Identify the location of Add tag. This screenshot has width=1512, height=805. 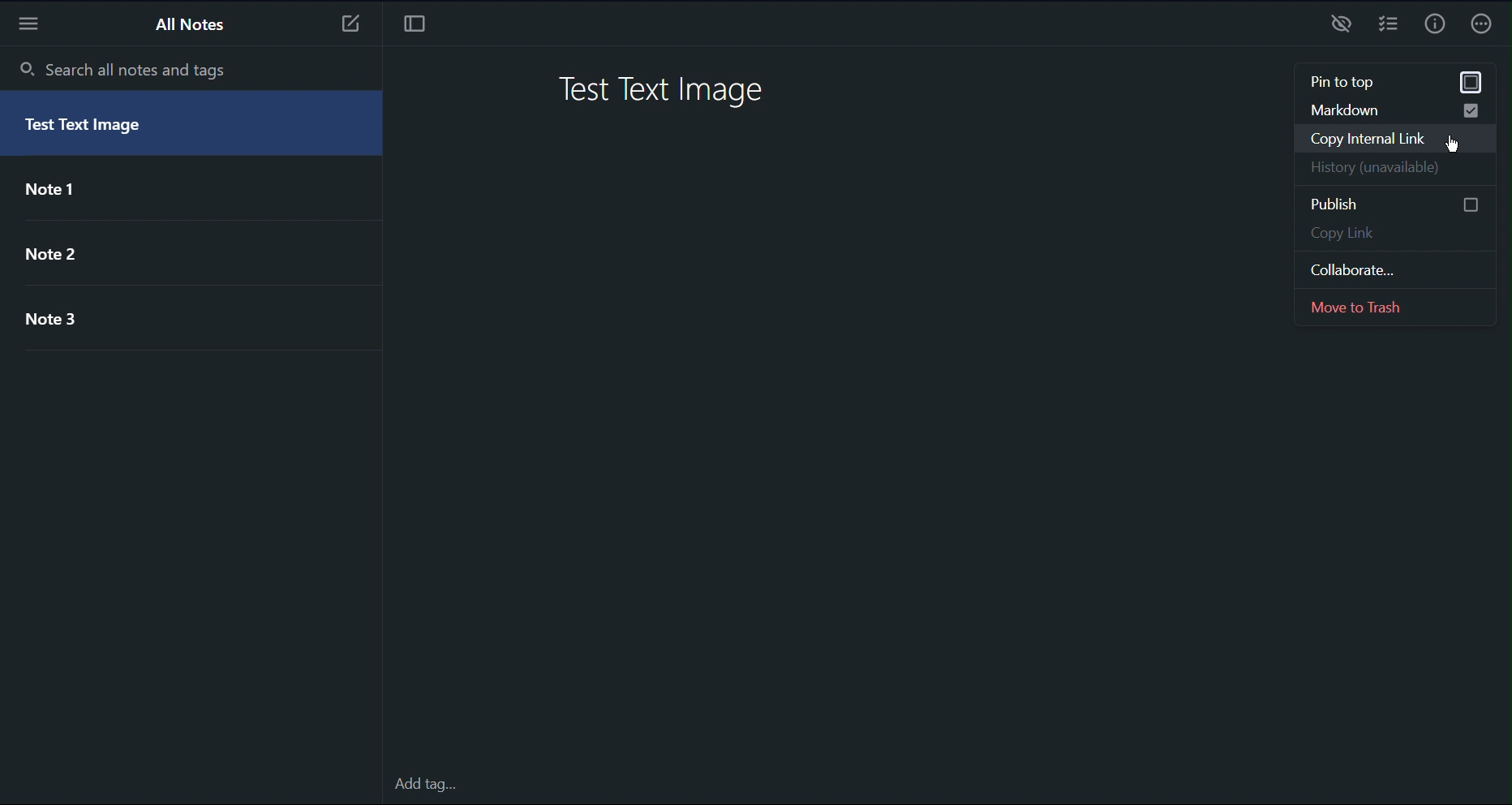
(429, 785).